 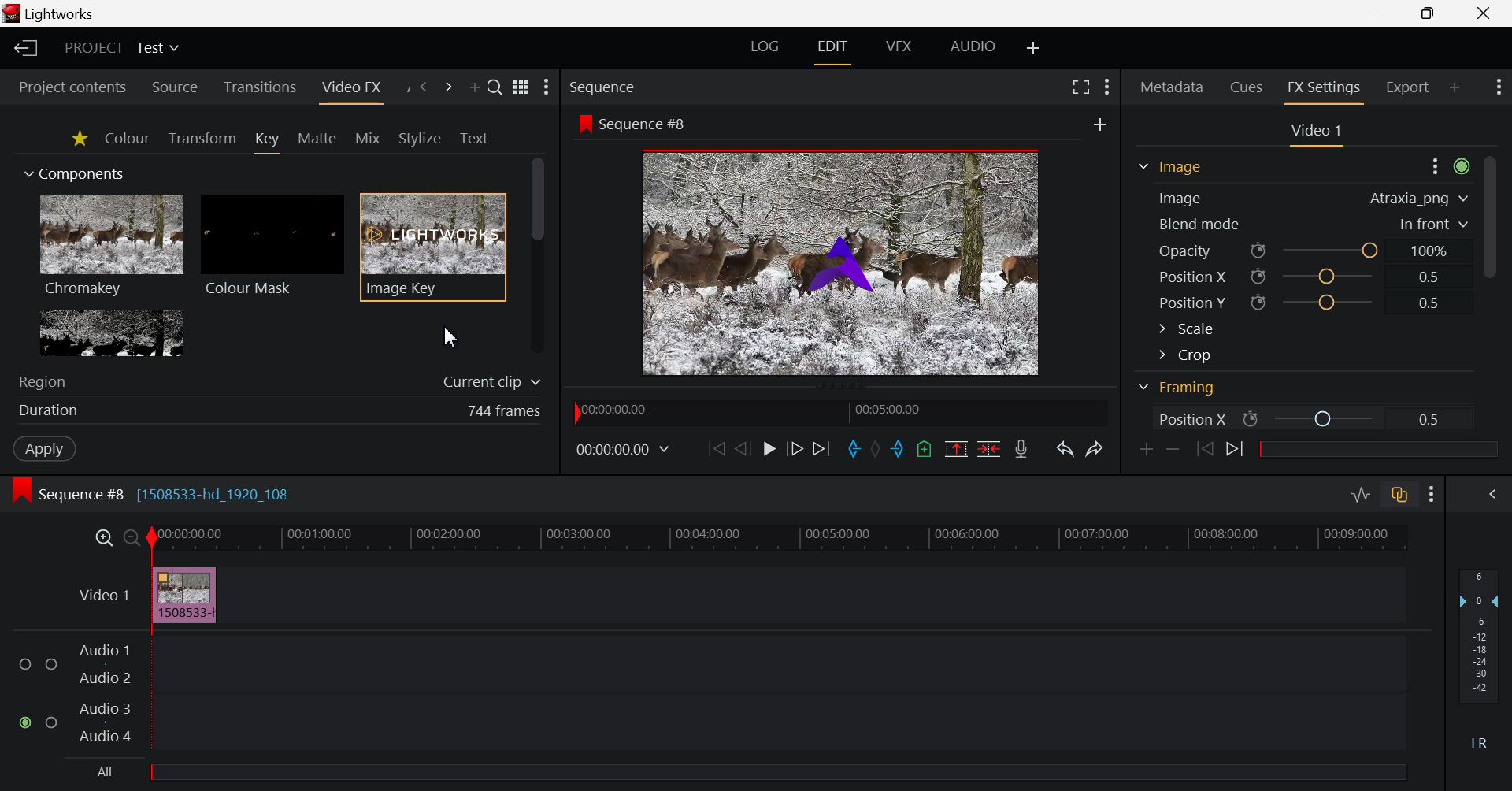 I want to click on Image, so click(x=1185, y=198).